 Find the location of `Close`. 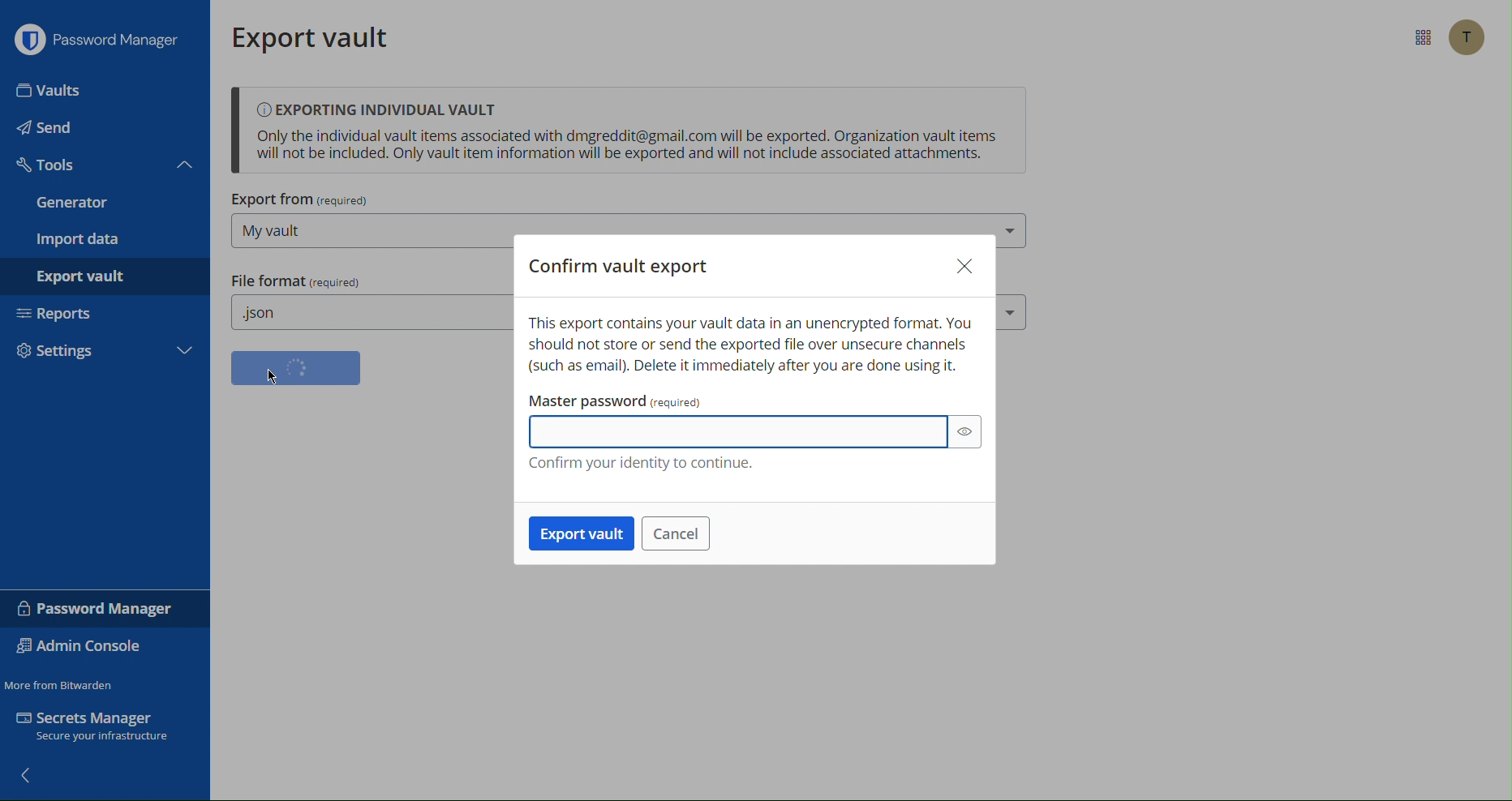

Close is located at coordinates (964, 263).